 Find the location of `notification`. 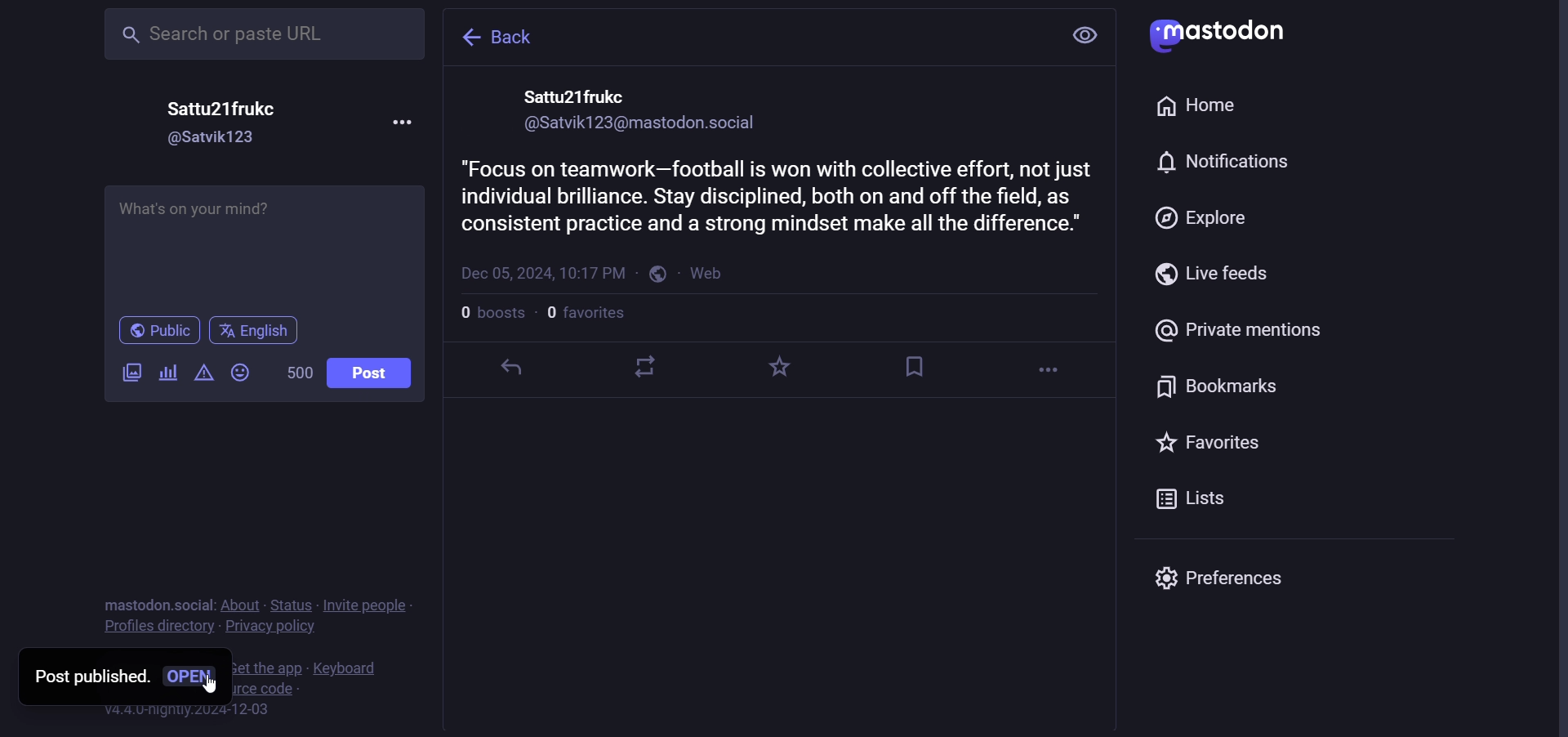

notification is located at coordinates (1225, 157).